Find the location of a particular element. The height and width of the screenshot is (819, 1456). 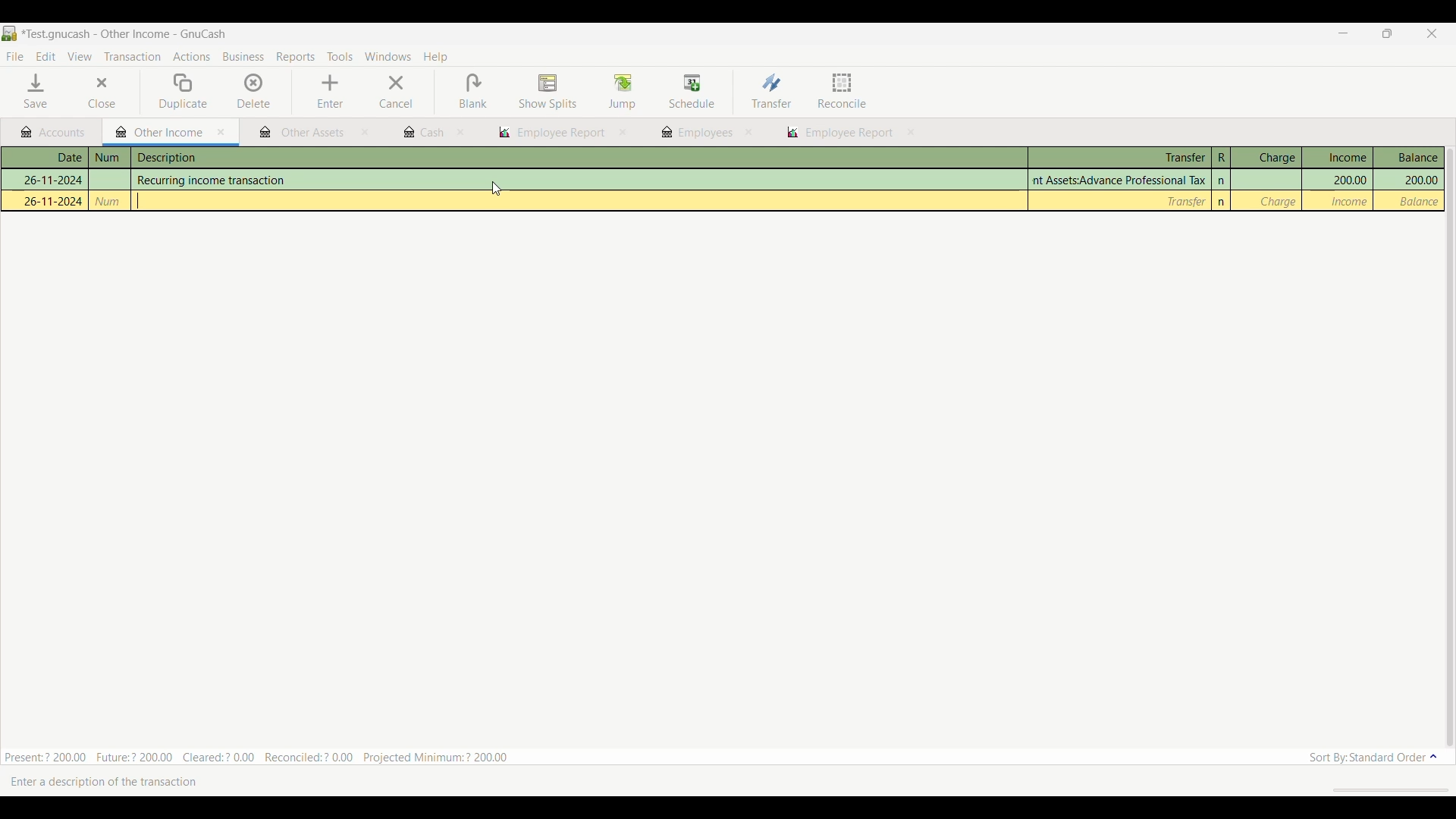

num is located at coordinates (113, 202).